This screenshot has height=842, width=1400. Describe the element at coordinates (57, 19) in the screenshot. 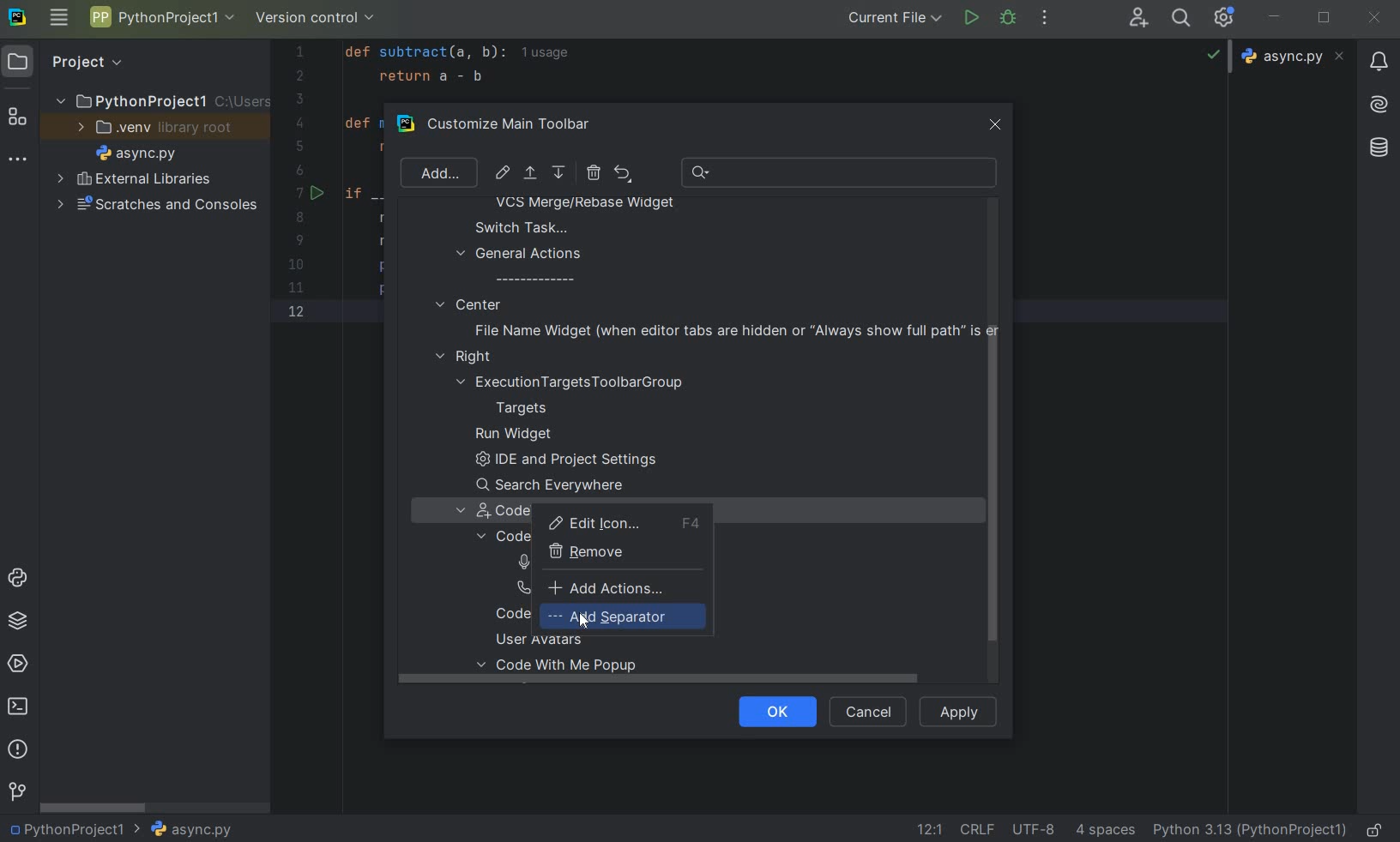

I see `MAIN MENU` at that location.